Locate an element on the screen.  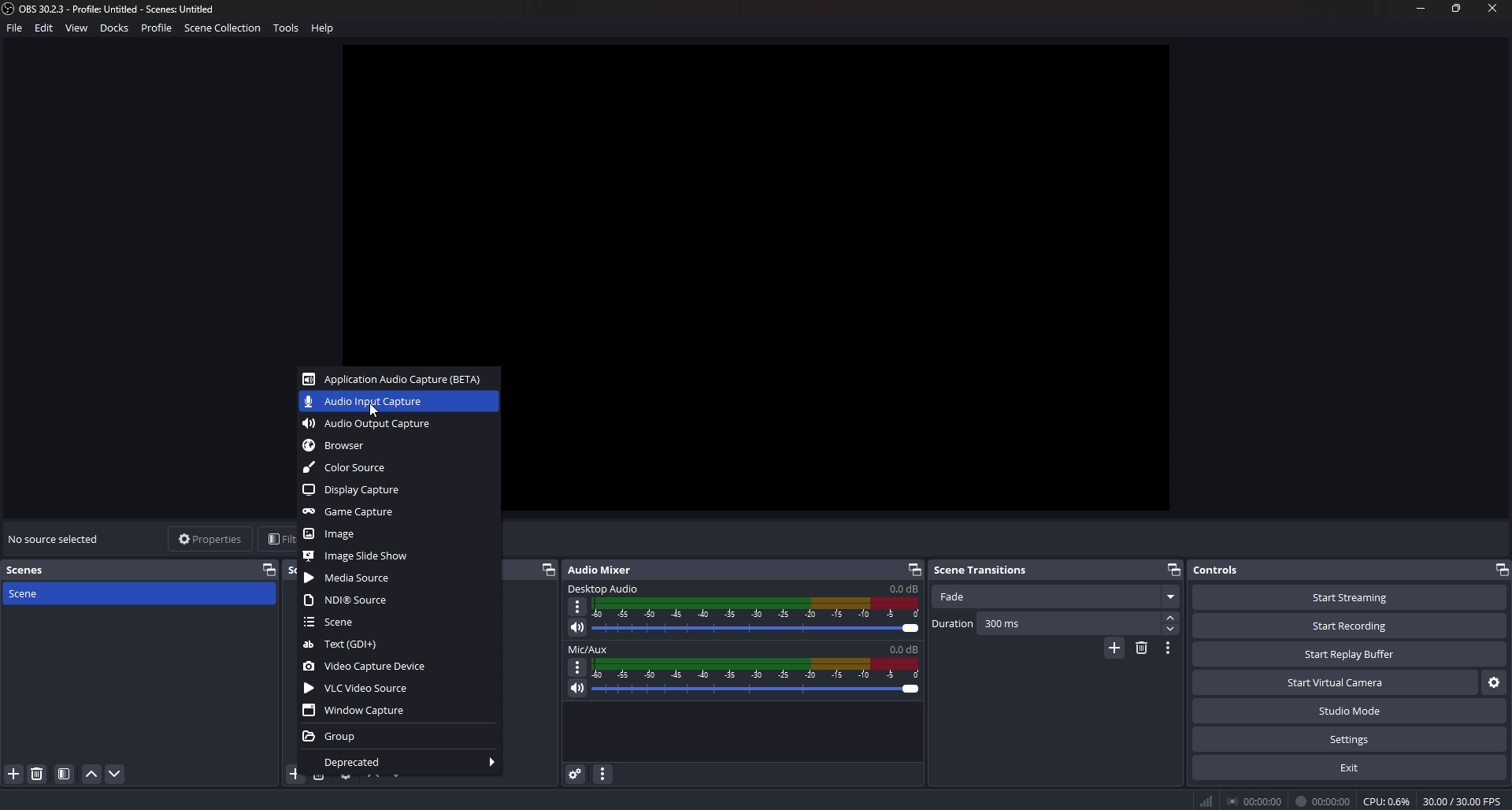
remove transition is located at coordinates (1142, 647).